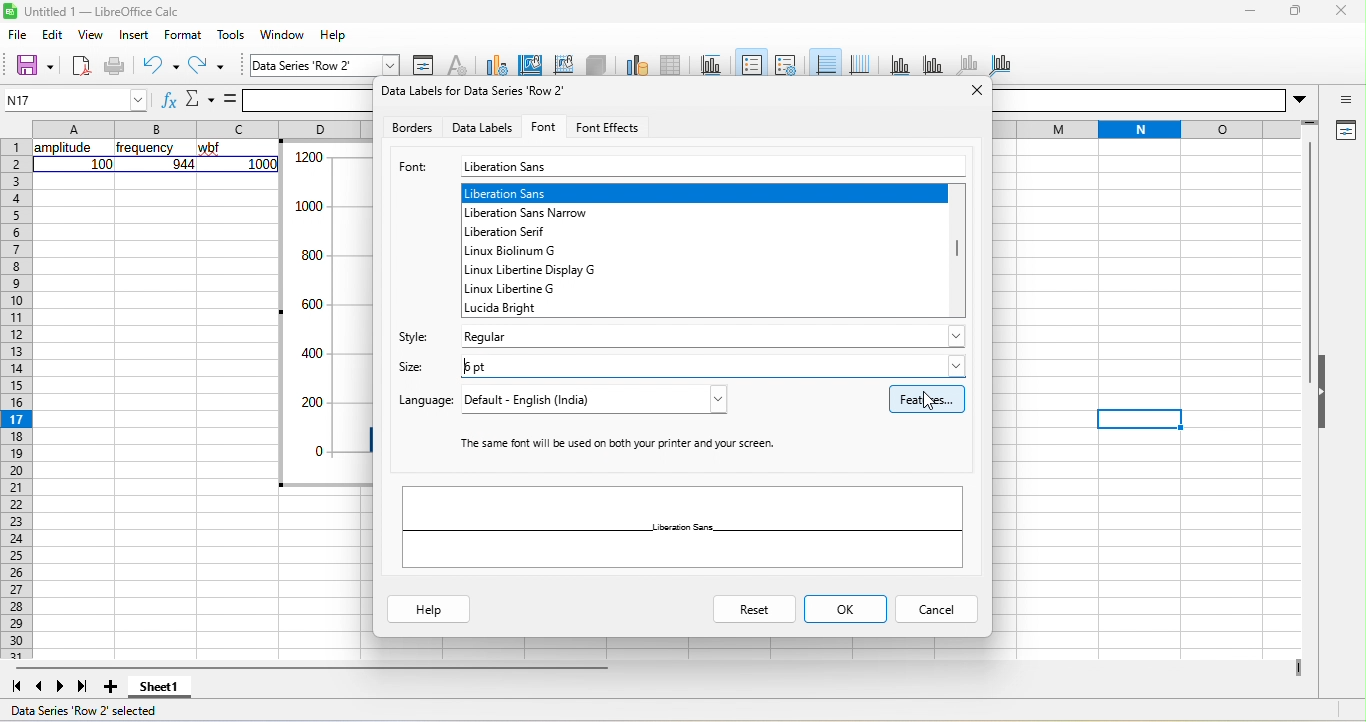  I want to click on 1000, so click(263, 164).